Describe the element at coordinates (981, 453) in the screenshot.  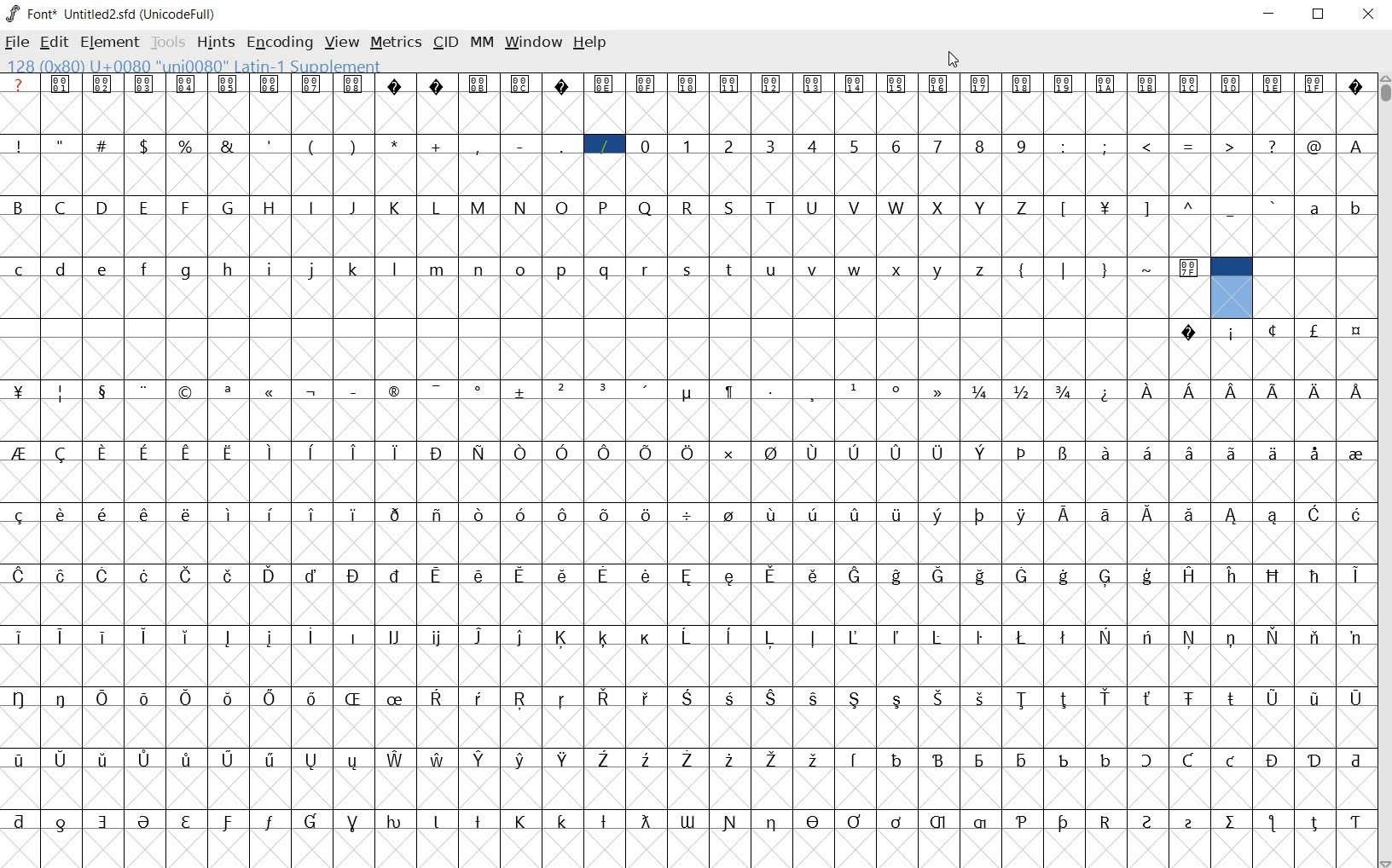
I see `Symbol` at that location.